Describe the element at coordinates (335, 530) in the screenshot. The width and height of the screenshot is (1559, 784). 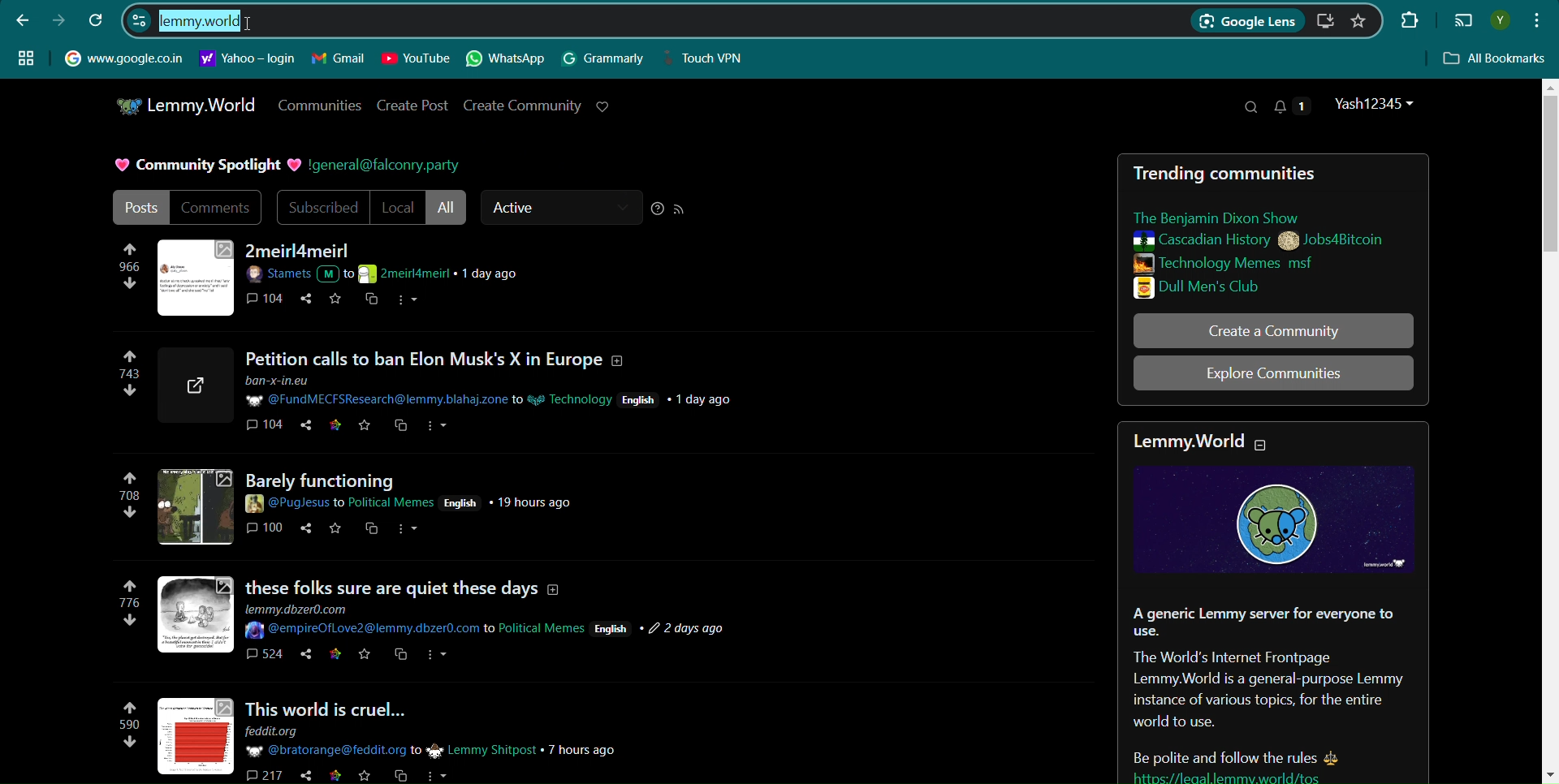
I see `star` at that location.